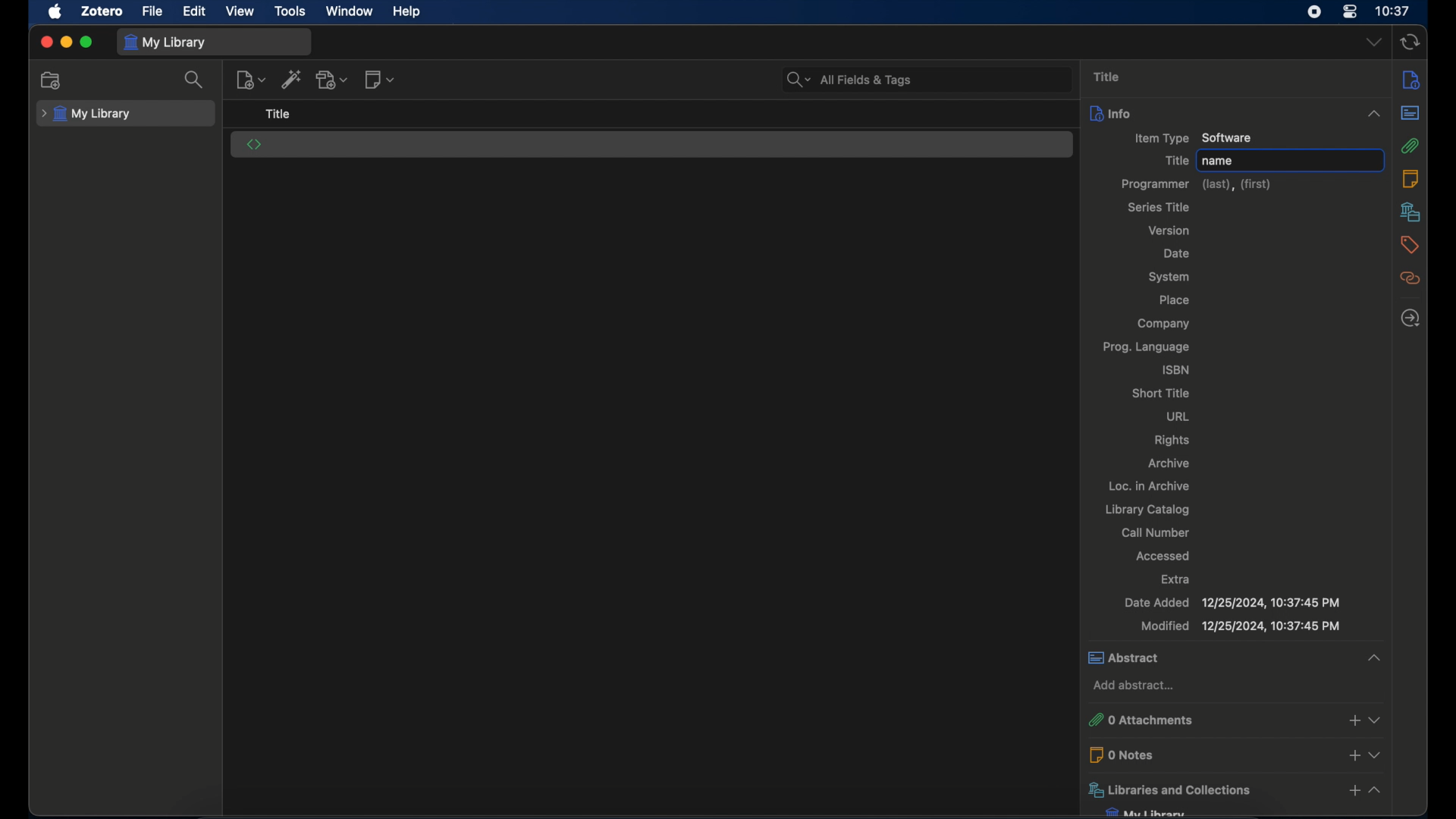 The width and height of the screenshot is (1456, 819). Describe the element at coordinates (1173, 441) in the screenshot. I see `rights` at that location.